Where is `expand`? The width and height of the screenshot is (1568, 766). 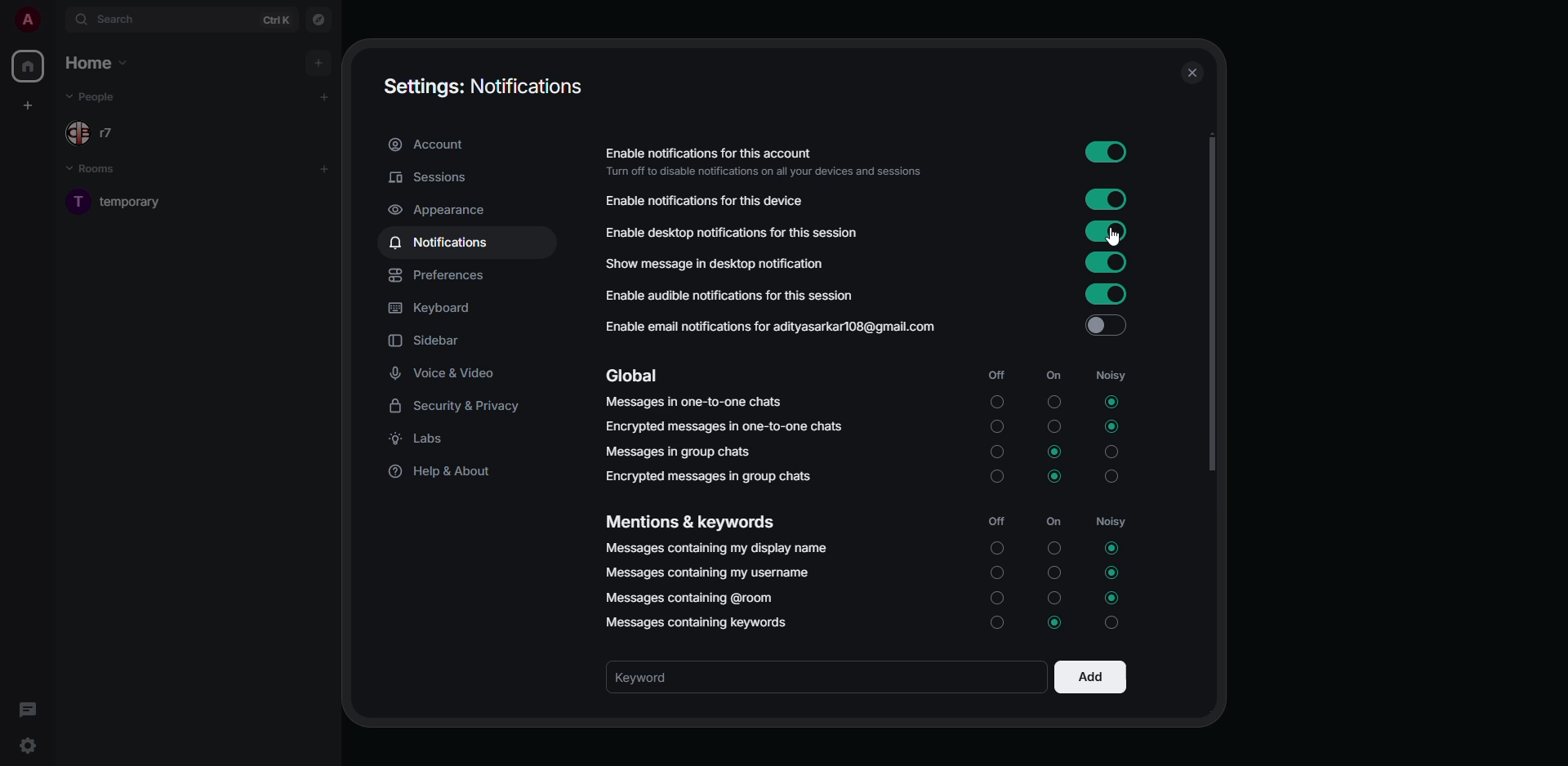 expand is located at coordinates (55, 22).